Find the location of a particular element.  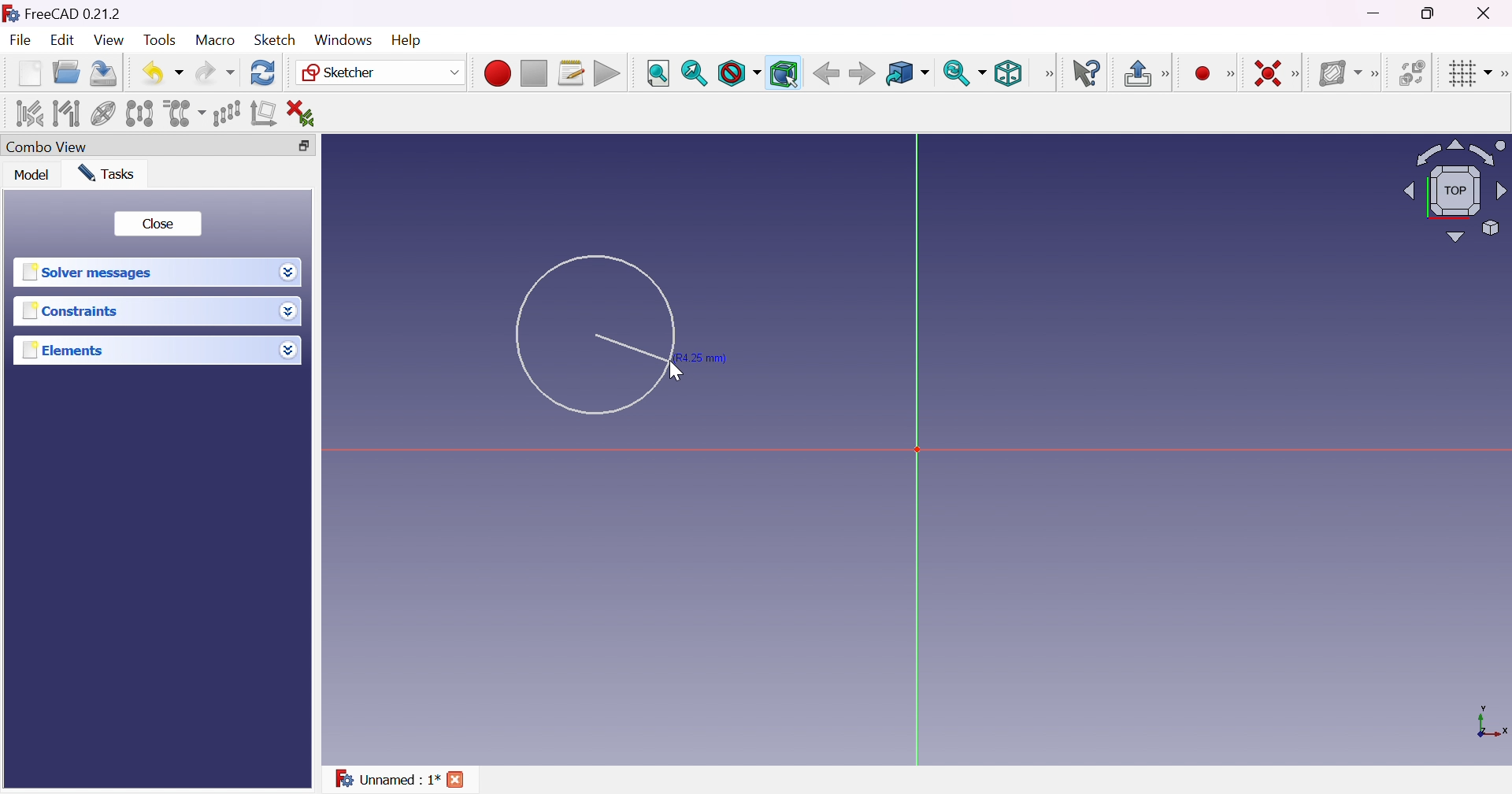

Clone is located at coordinates (183, 113).